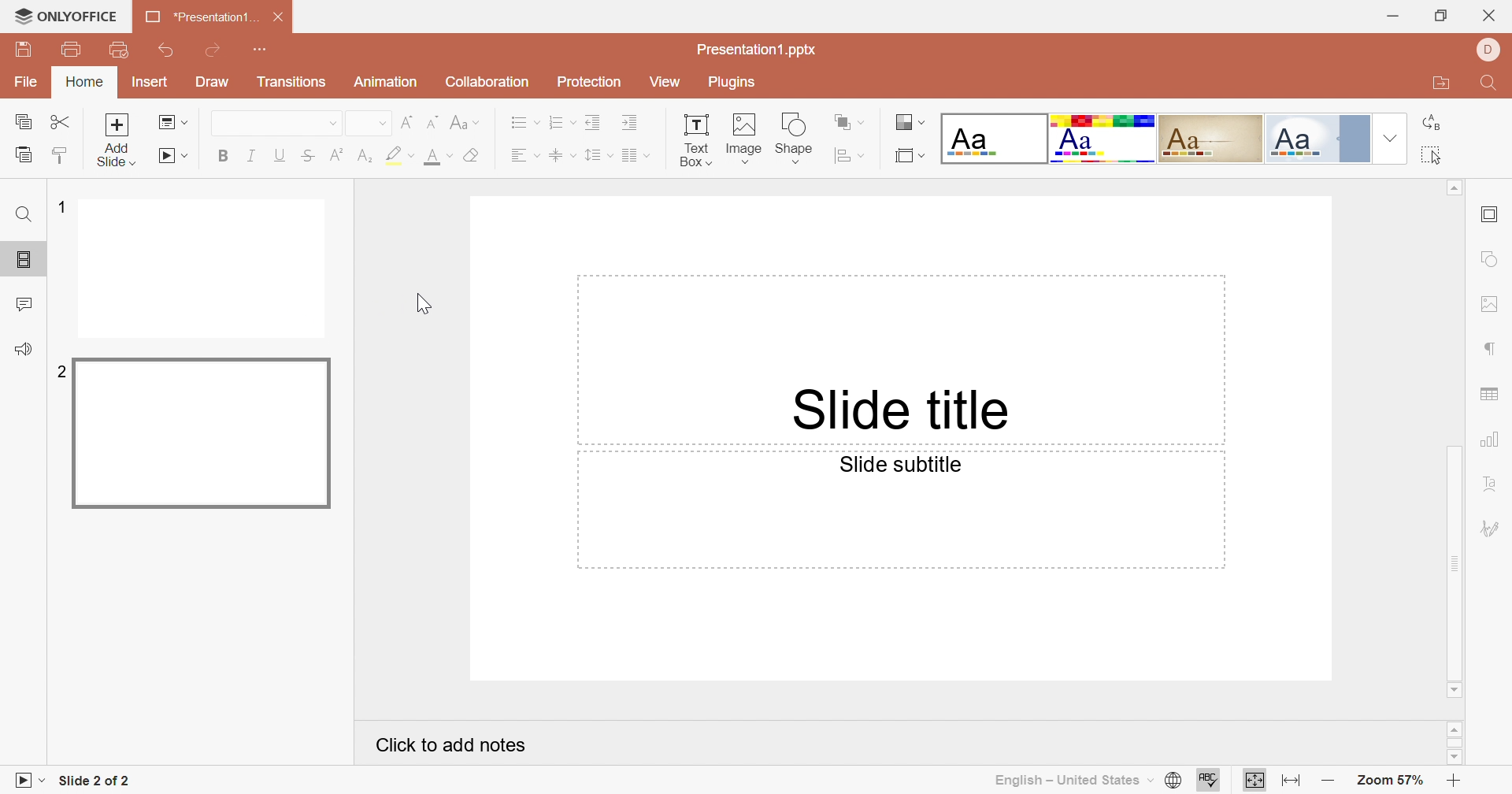 Image resolution: width=1512 pixels, height=794 pixels. What do you see at coordinates (74, 50) in the screenshot?
I see `Print` at bounding box center [74, 50].